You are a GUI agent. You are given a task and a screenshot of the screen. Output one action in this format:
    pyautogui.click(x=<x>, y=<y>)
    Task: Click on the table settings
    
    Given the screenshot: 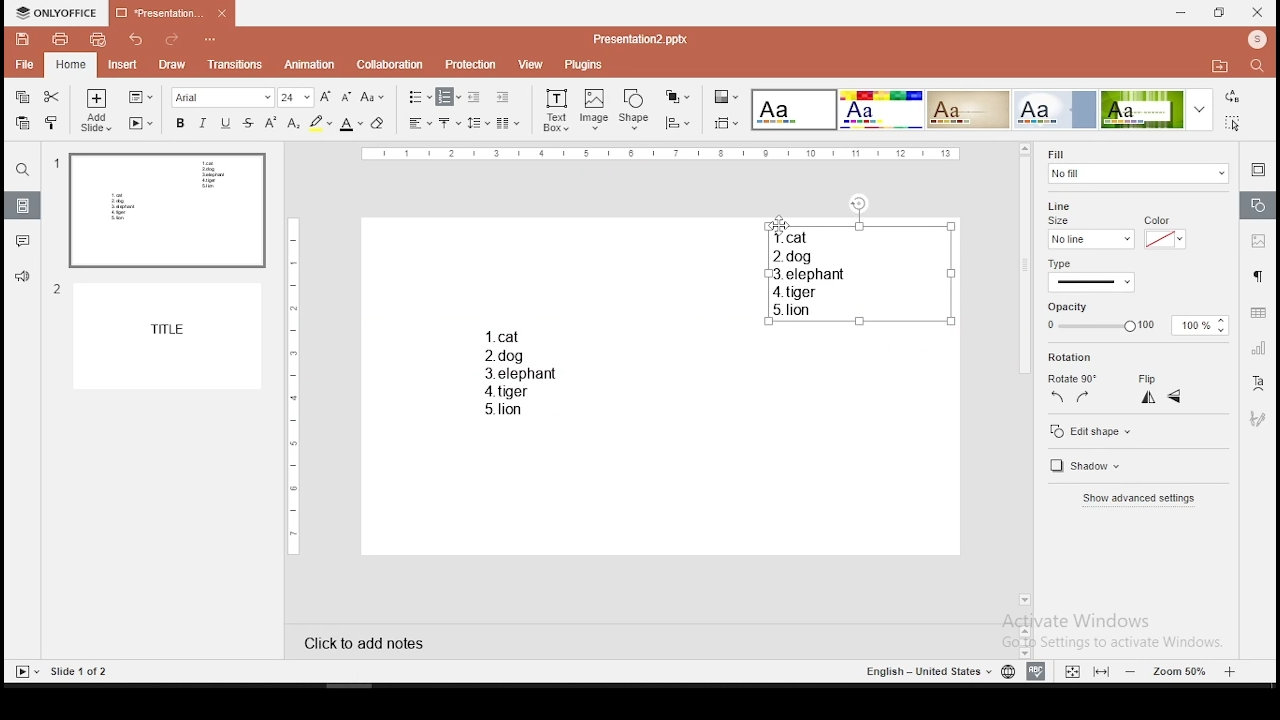 What is the action you would take?
    pyautogui.click(x=1256, y=313)
    